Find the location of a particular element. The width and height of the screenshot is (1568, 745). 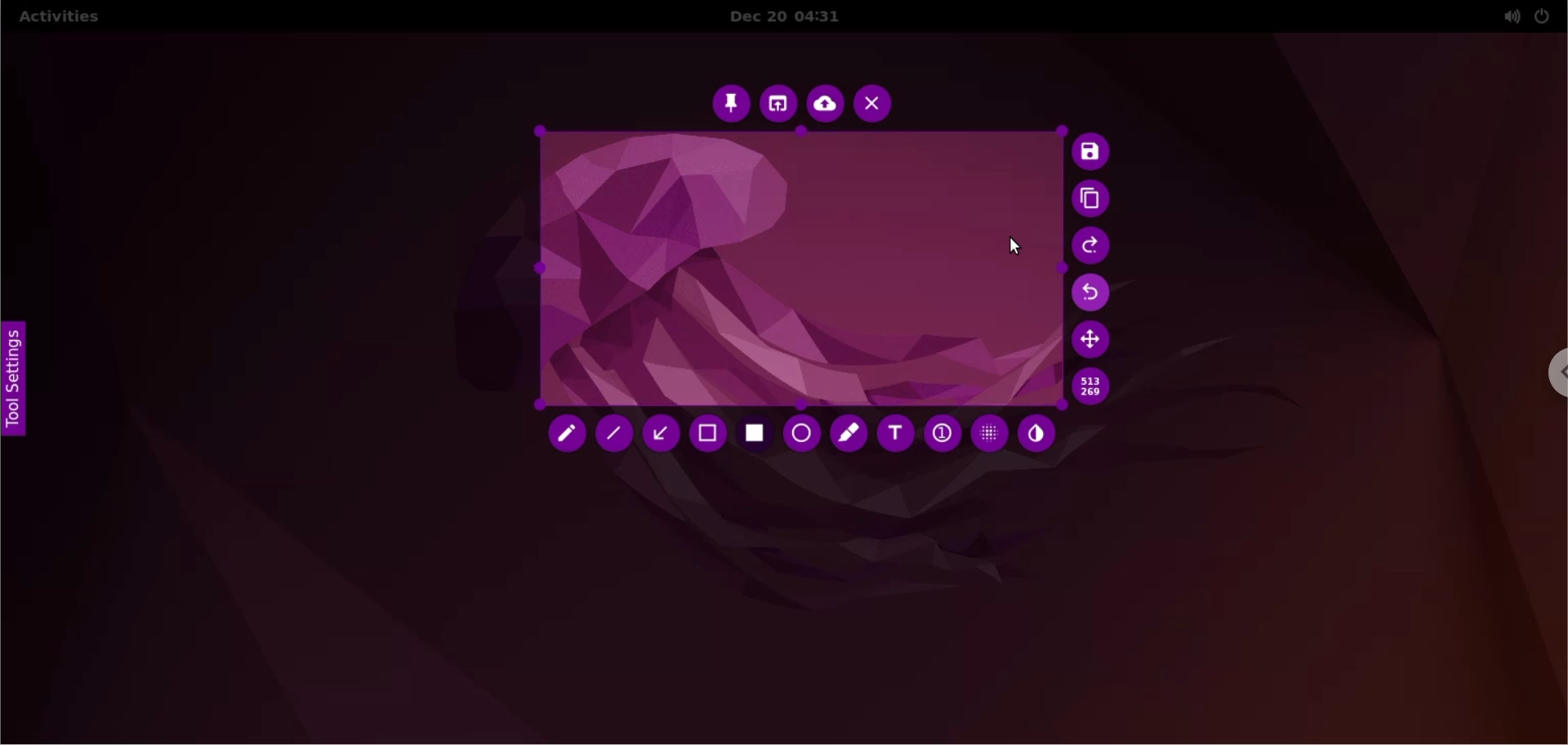

cursor is located at coordinates (1011, 250).